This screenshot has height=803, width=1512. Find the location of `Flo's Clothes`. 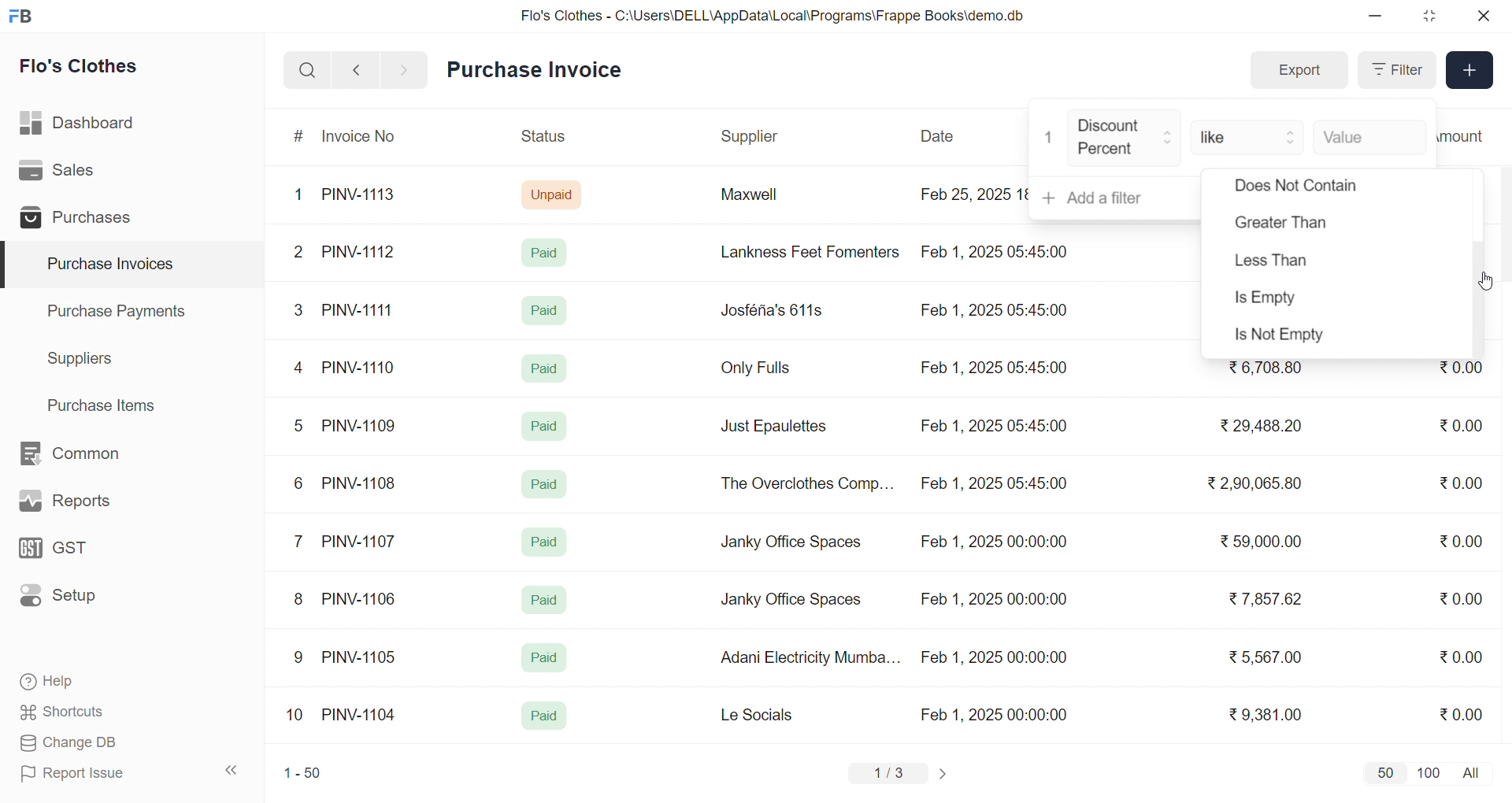

Flo's Clothes is located at coordinates (90, 68).